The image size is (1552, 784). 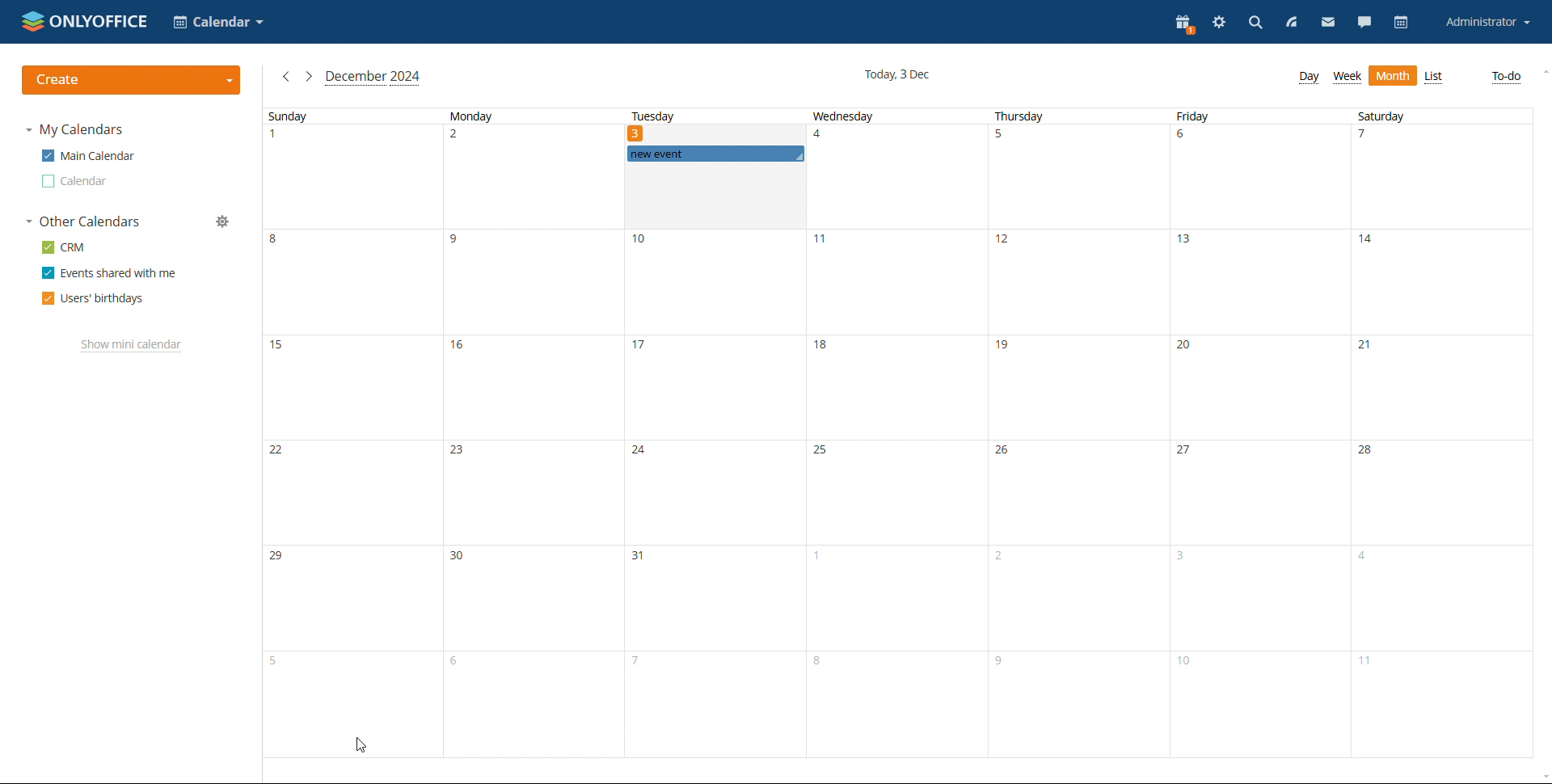 What do you see at coordinates (218, 22) in the screenshot?
I see `select application` at bounding box center [218, 22].